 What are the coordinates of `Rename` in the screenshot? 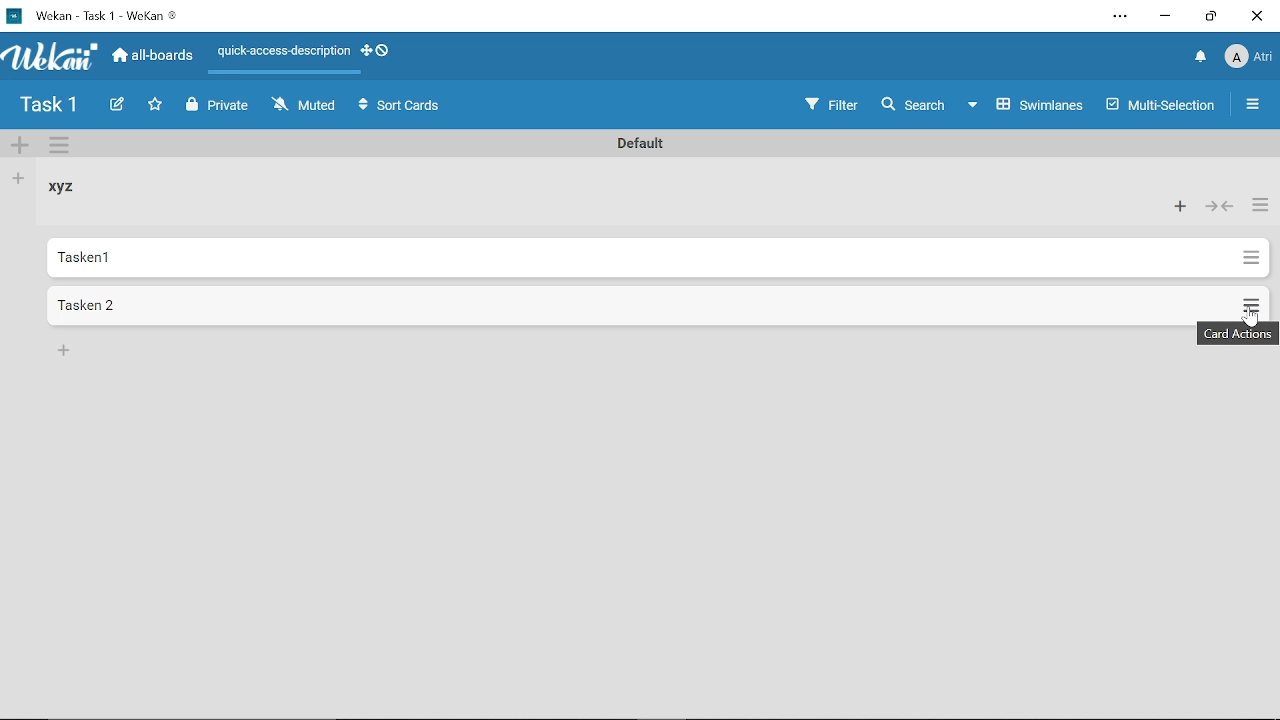 It's located at (636, 142).